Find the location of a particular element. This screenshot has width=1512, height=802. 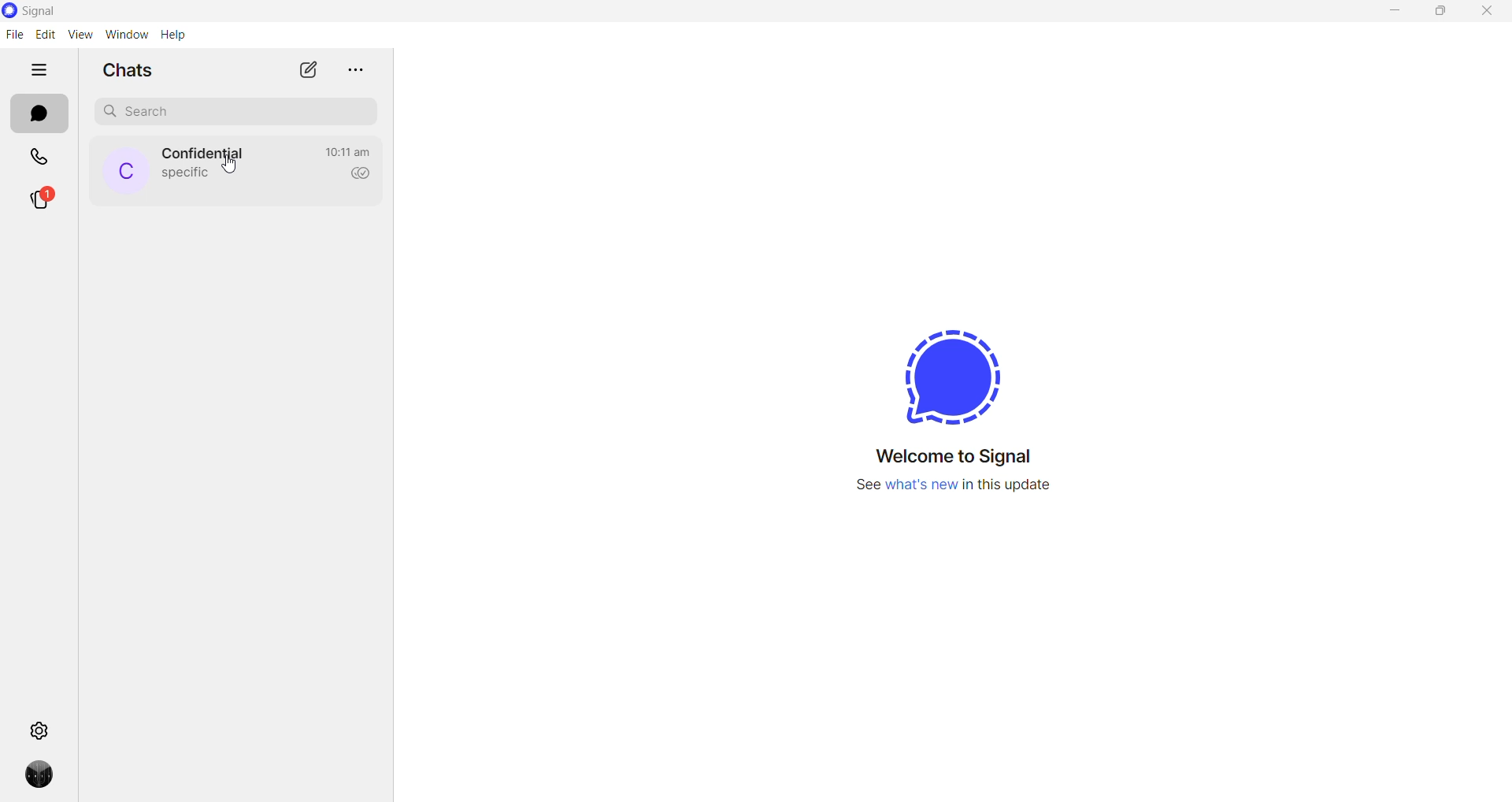

read recipient is located at coordinates (362, 173).